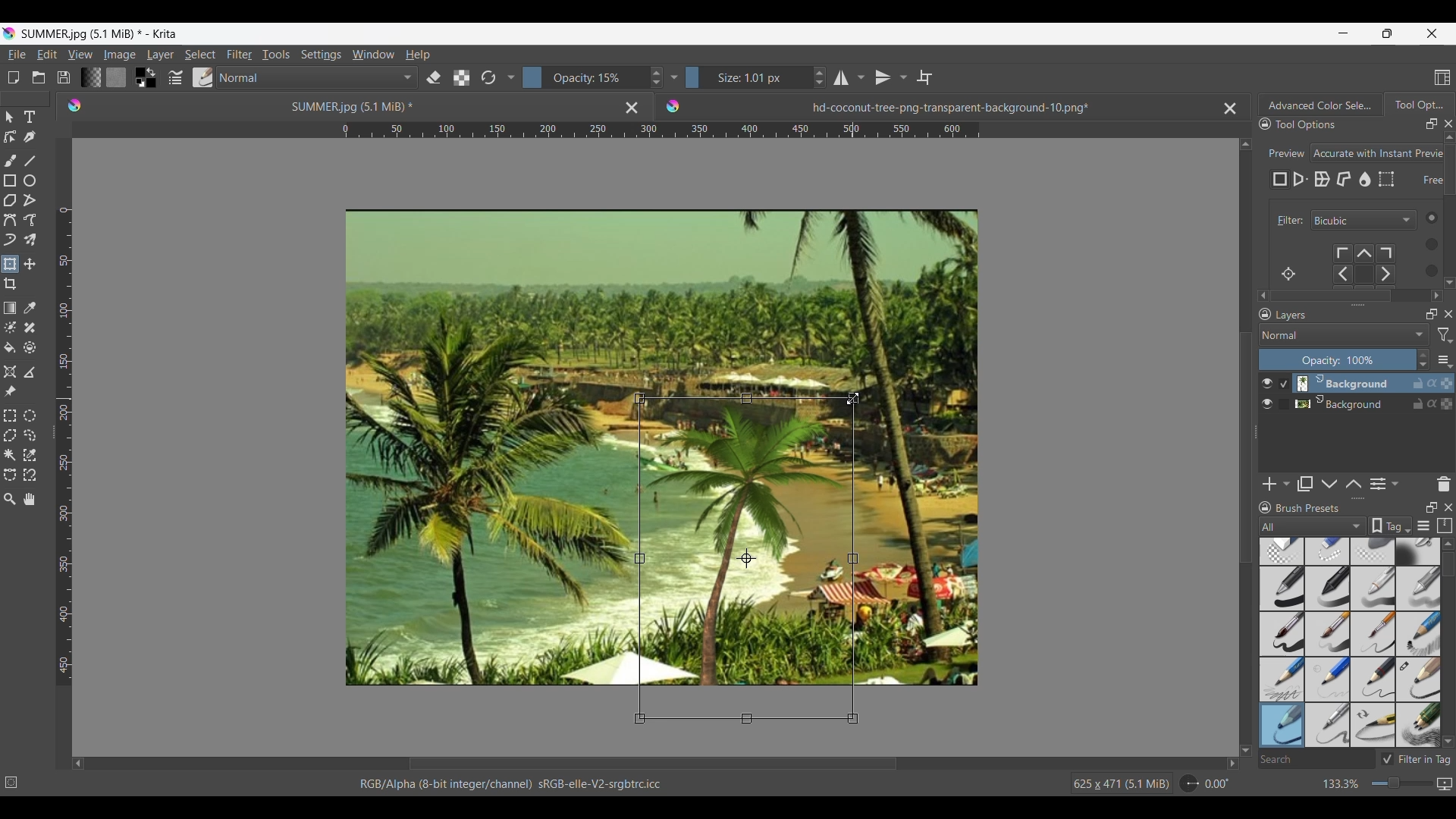 Image resolution: width=1456 pixels, height=819 pixels. I want to click on Change angle of canvas, so click(1206, 783).